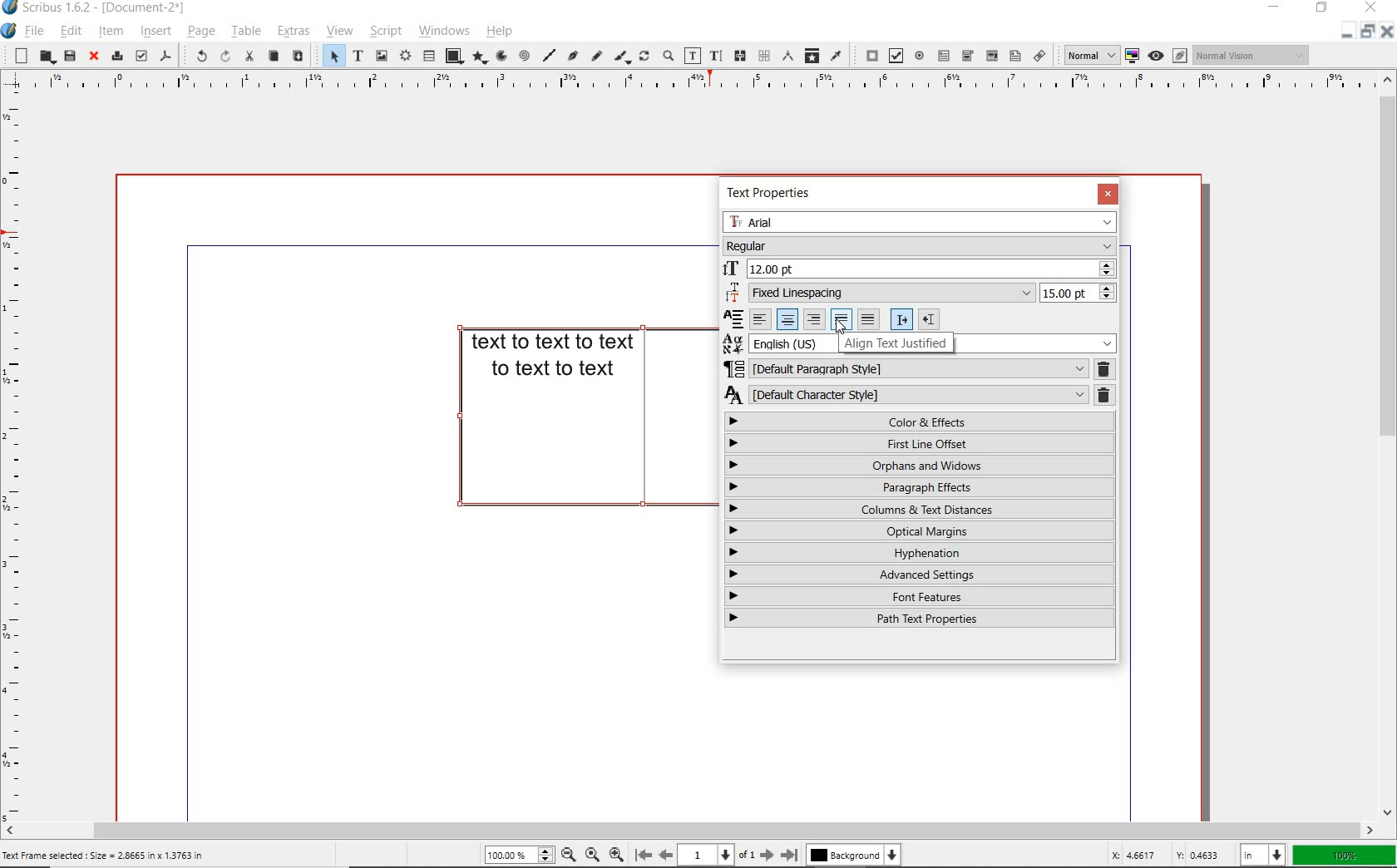 This screenshot has height=868, width=1397. Describe the element at coordinates (1106, 369) in the screenshot. I see `REMOVE` at that location.